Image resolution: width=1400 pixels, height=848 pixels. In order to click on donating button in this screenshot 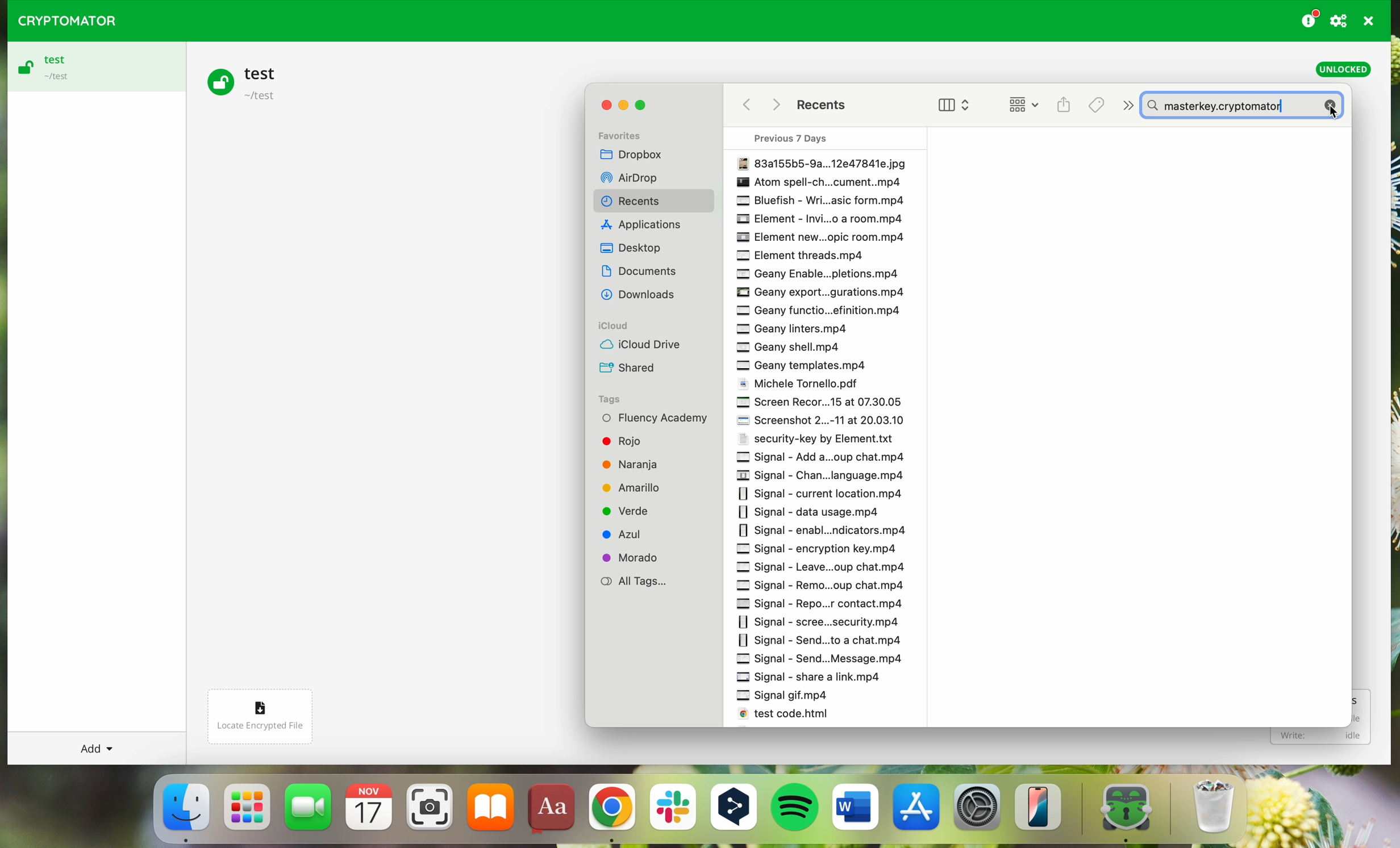, I will do `click(1310, 19)`.